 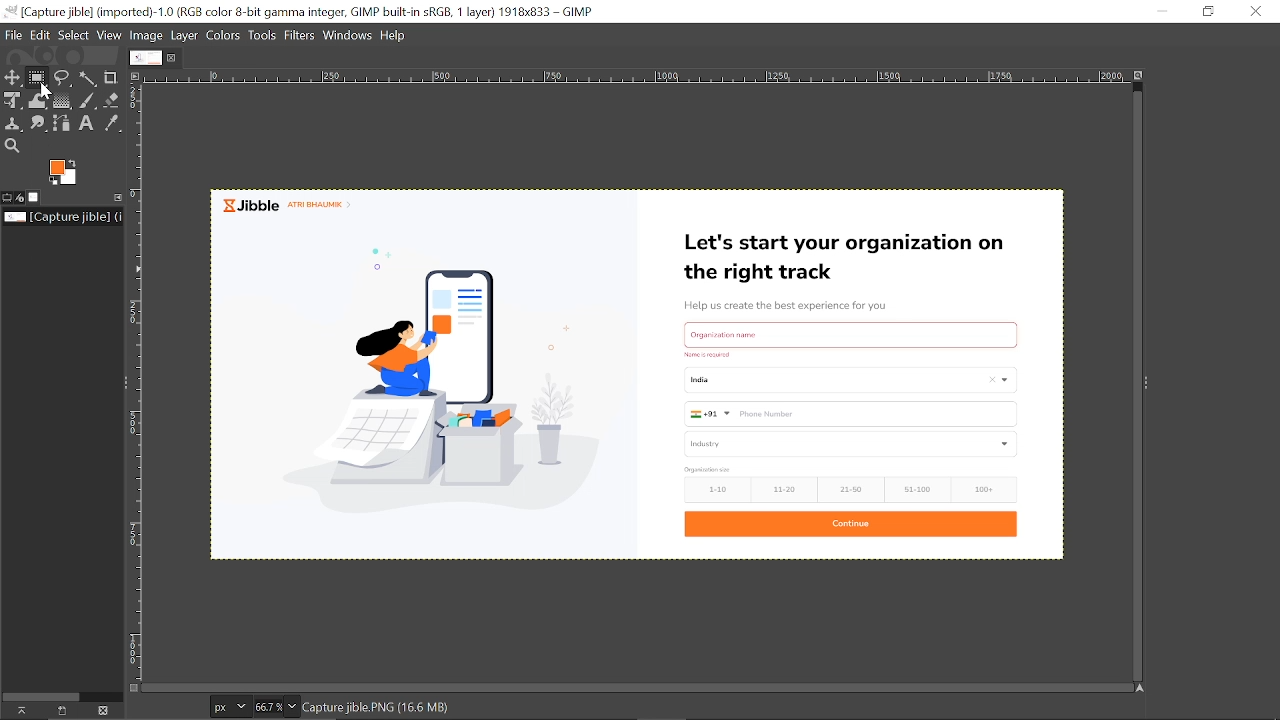 I want to click on Delete this image, so click(x=106, y=710).